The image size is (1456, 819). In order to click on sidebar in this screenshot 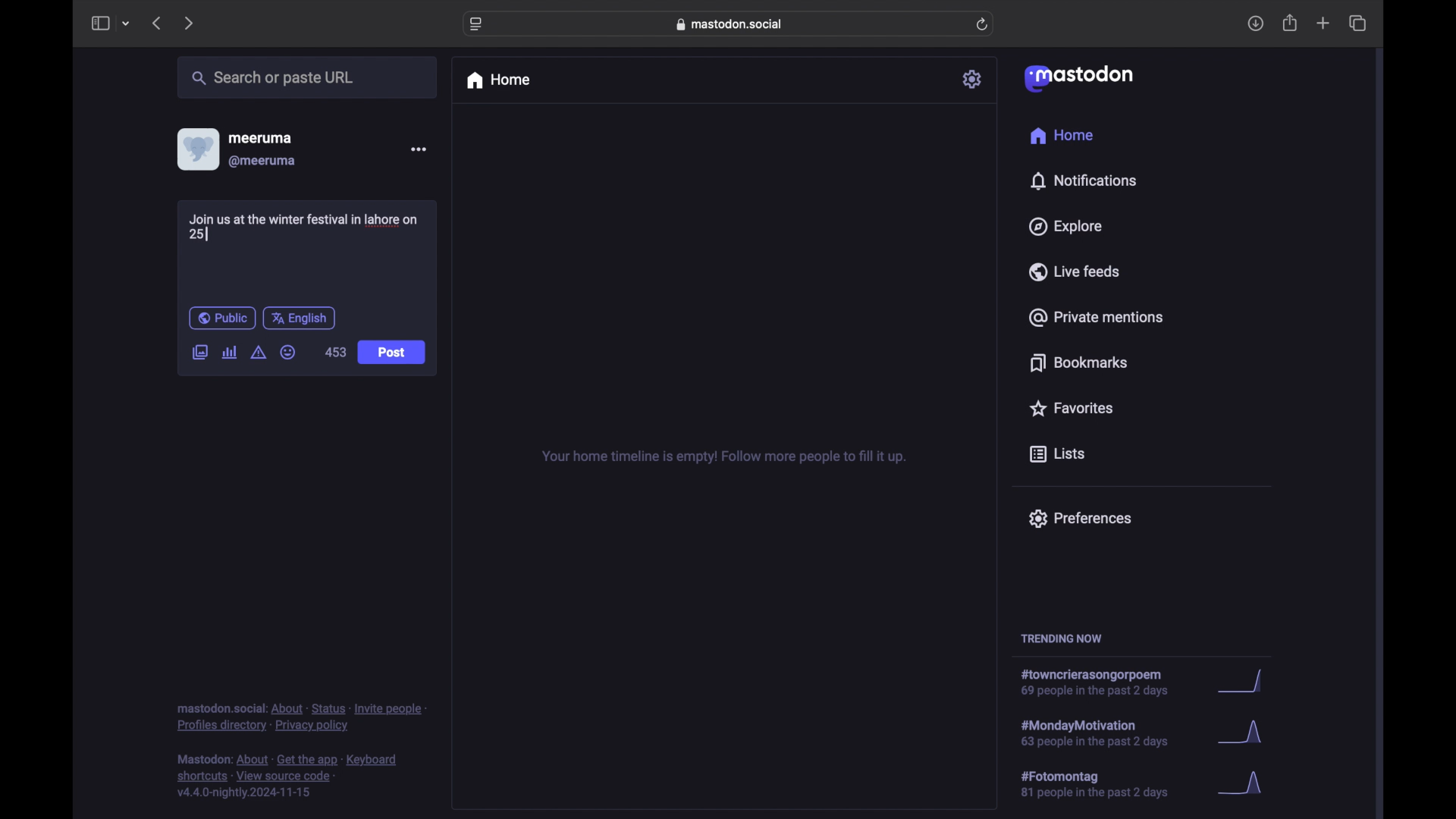, I will do `click(99, 23)`.